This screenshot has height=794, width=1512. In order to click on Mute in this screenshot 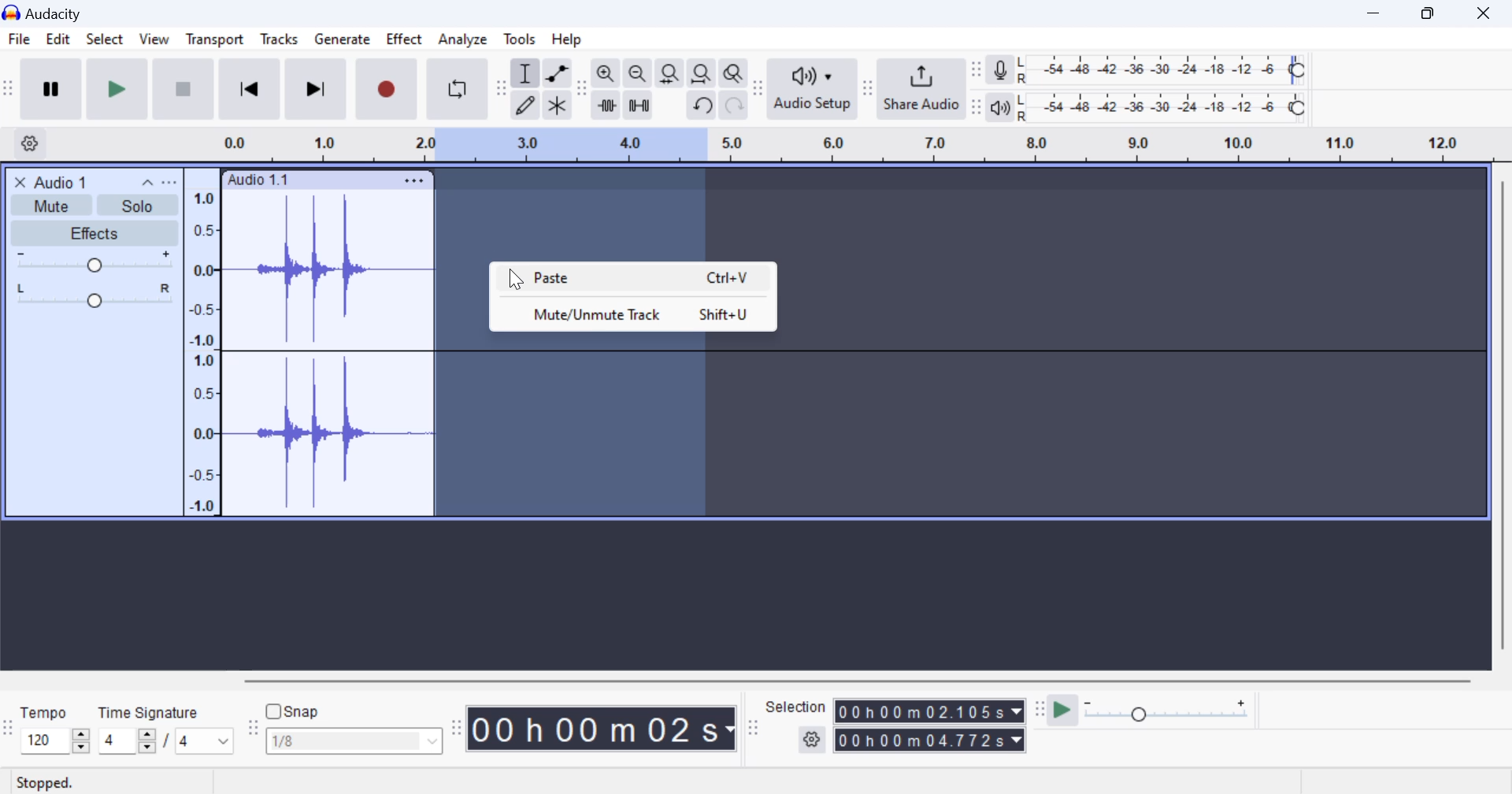, I will do `click(54, 204)`.